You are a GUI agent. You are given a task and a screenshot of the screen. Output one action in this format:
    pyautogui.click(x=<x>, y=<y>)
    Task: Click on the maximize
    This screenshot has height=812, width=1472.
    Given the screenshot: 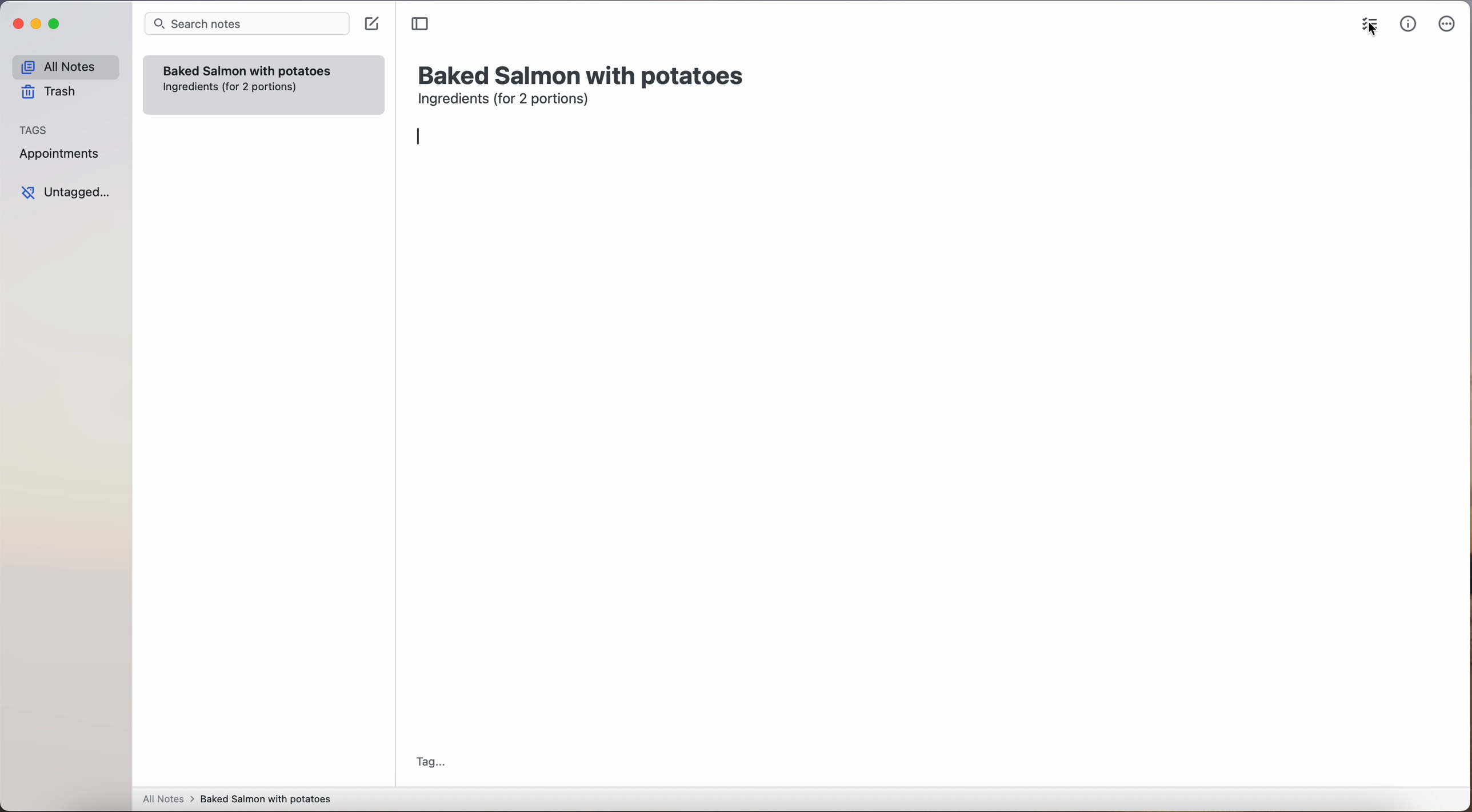 What is the action you would take?
    pyautogui.click(x=56, y=23)
    